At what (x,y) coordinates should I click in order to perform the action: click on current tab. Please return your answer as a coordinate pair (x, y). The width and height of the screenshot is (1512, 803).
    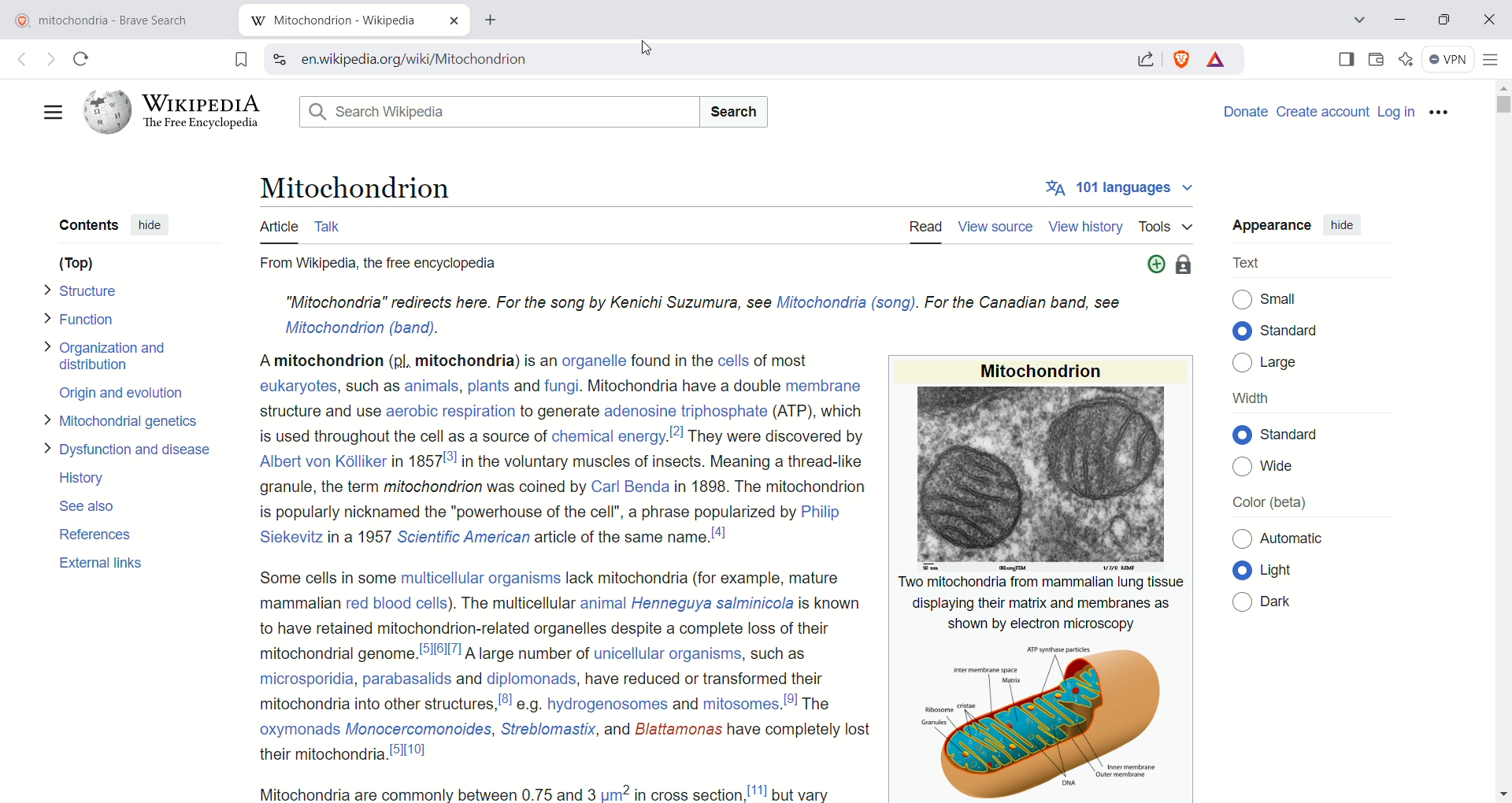
    Looking at the image, I should click on (119, 20).